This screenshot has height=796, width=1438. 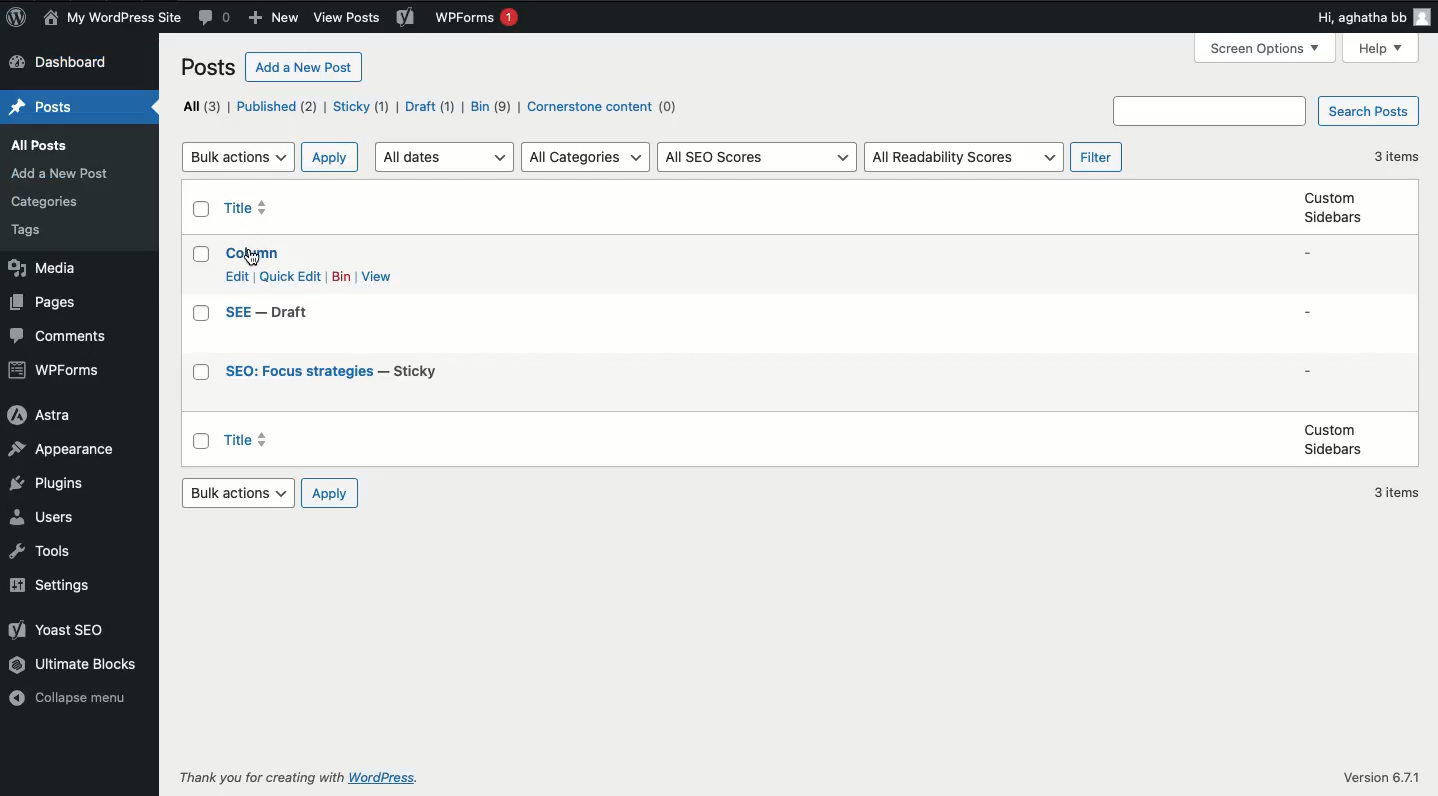 I want to click on All dates, so click(x=445, y=158).